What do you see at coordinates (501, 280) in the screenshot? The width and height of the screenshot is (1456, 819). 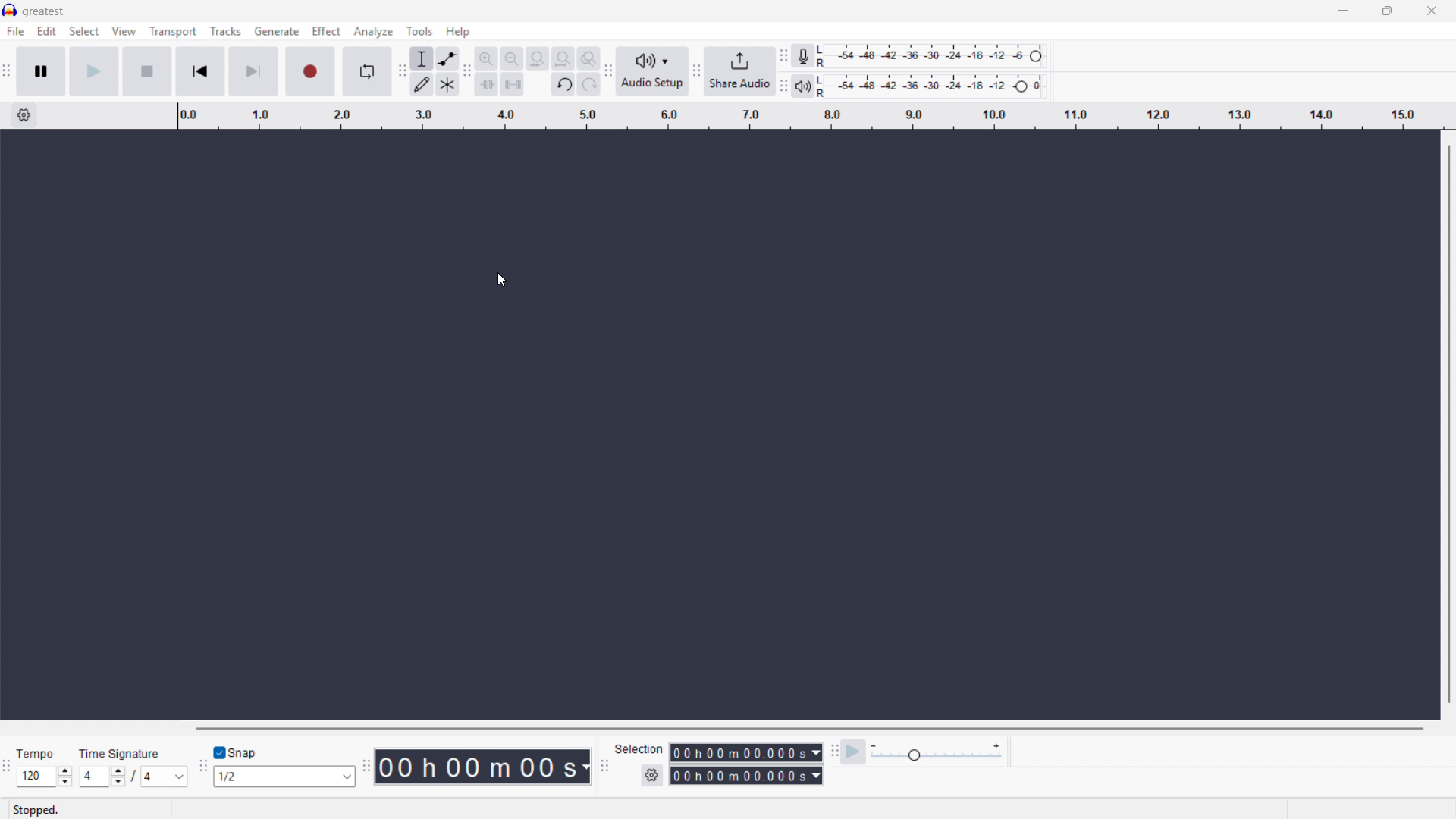 I see `Cursor ` at bounding box center [501, 280].